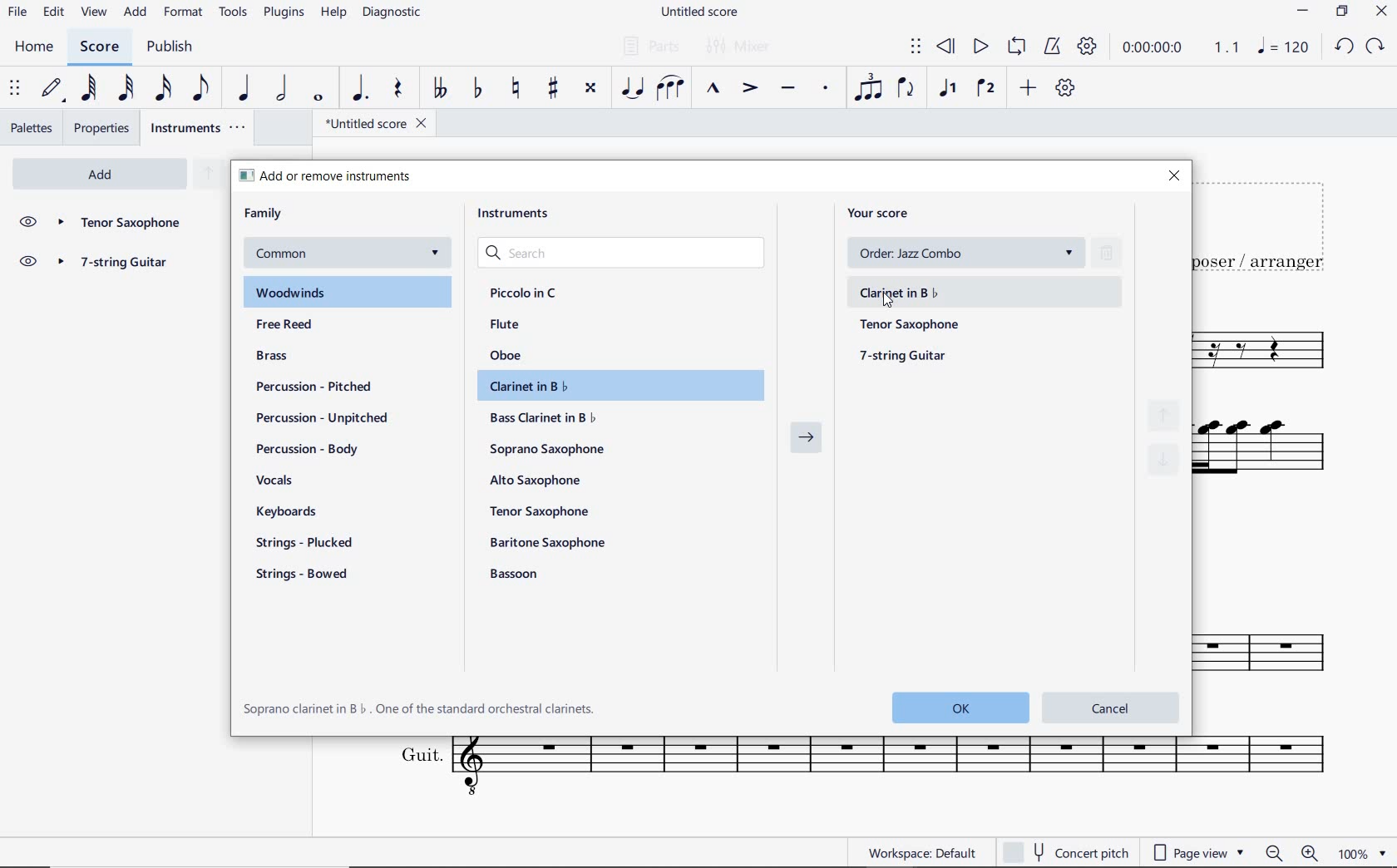 This screenshot has width=1397, height=868. Describe the element at coordinates (921, 852) in the screenshot. I see `workspace default` at that location.